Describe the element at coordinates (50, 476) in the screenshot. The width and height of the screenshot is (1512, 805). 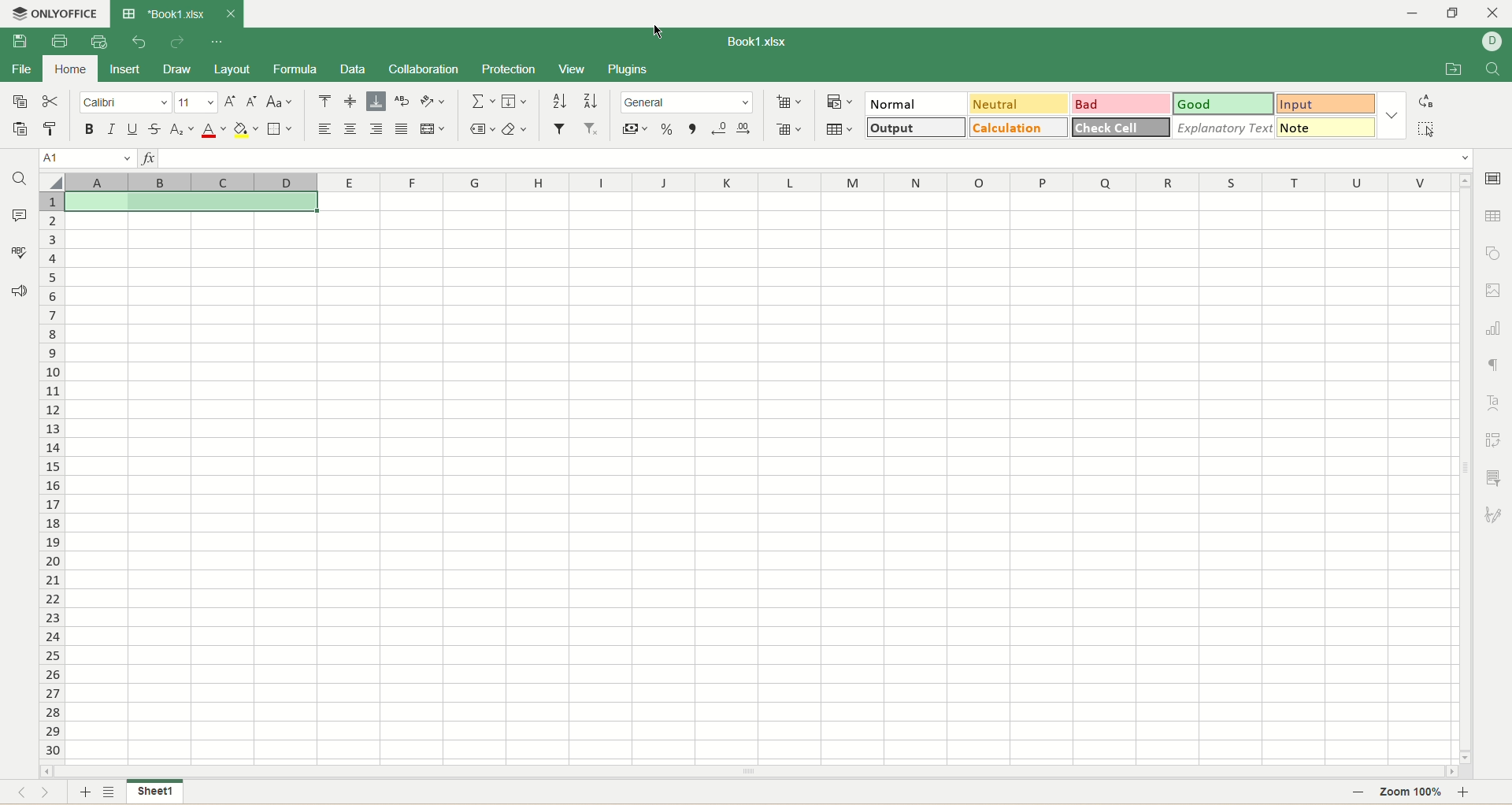
I see `row number` at that location.